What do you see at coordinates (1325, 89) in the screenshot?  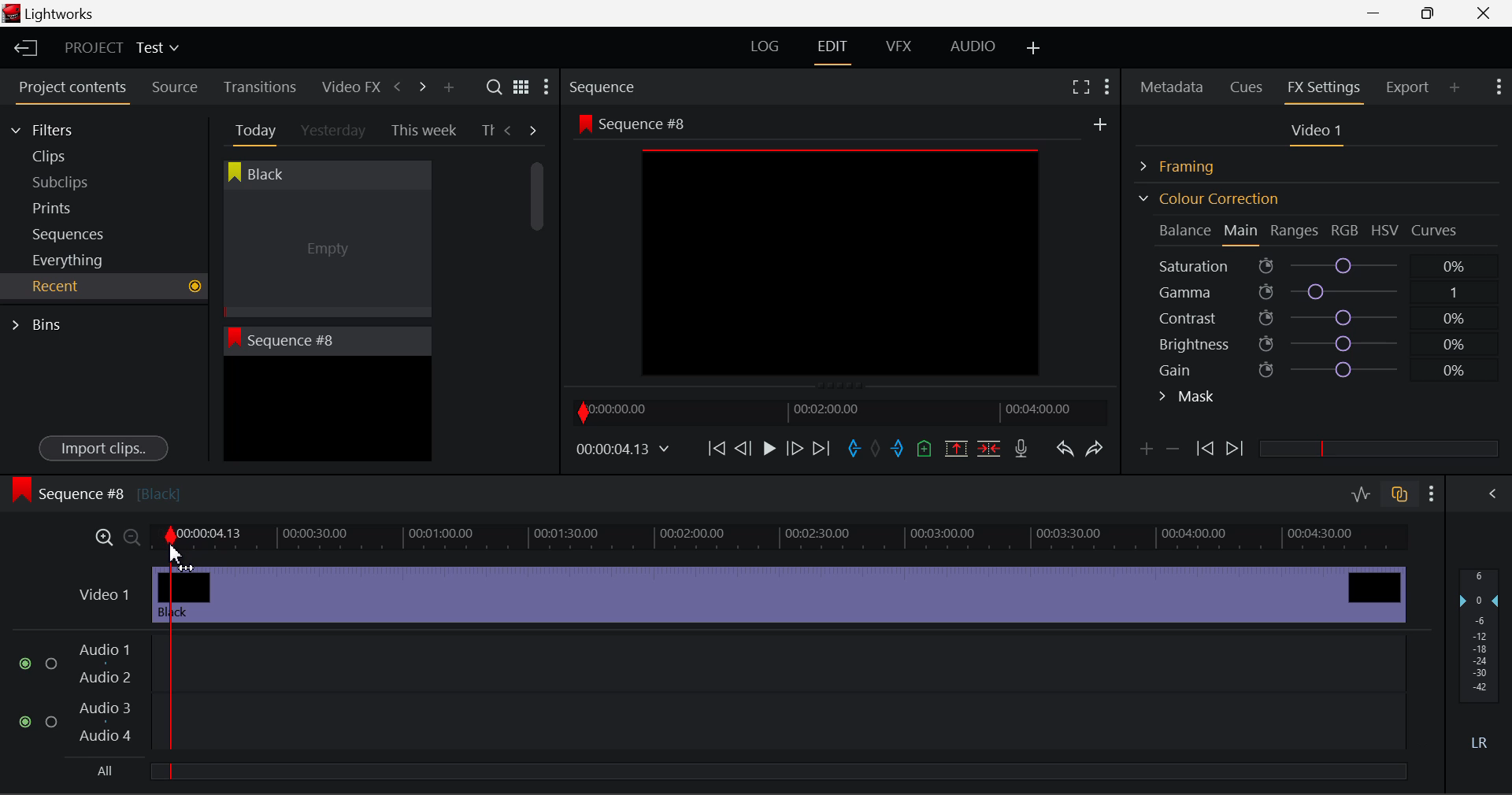 I see `FX Settings Panel Open` at bounding box center [1325, 89].